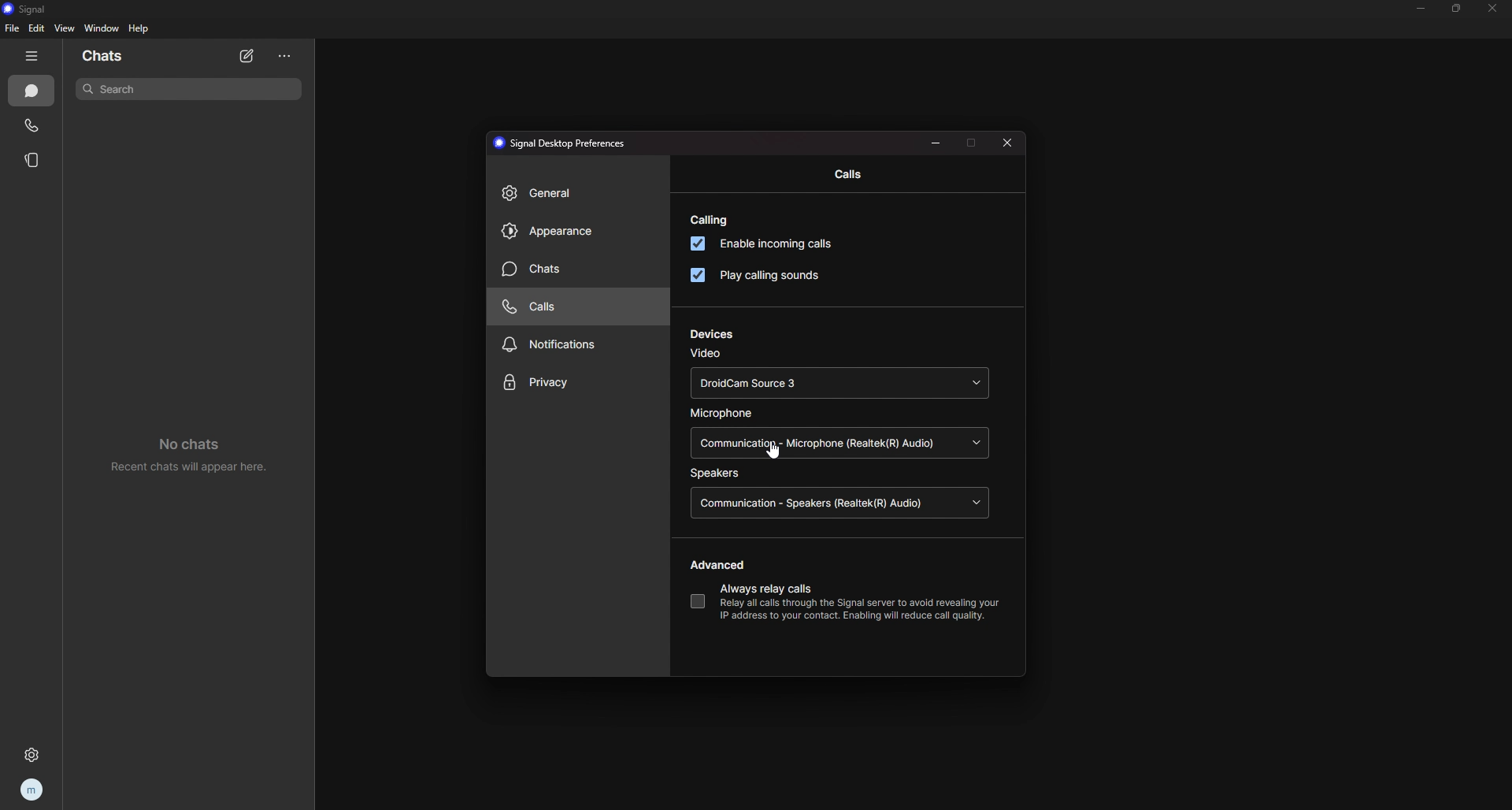  I want to click on stories, so click(34, 160).